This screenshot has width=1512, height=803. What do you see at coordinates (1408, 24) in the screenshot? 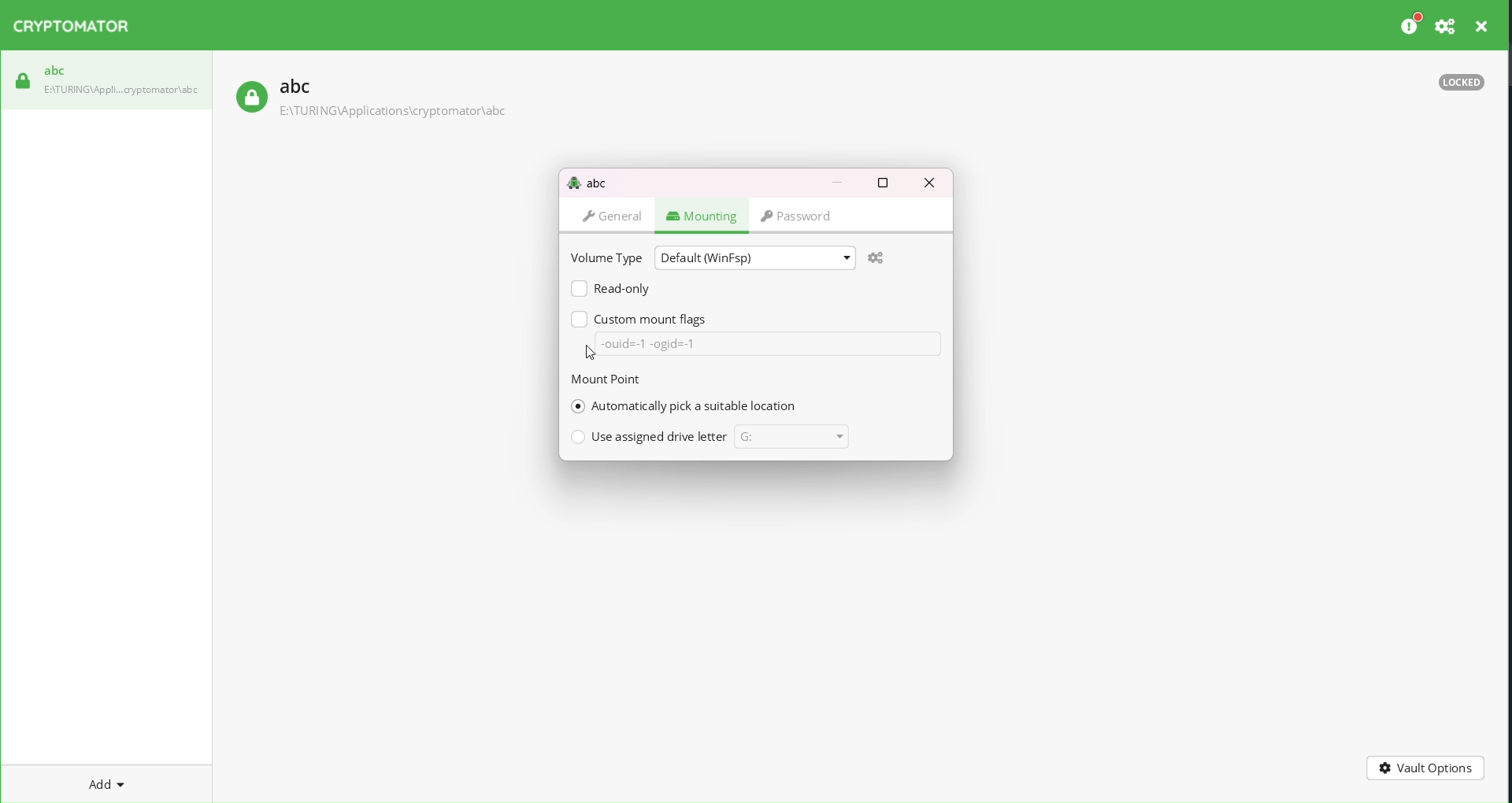
I see `preferences` at bounding box center [1408, 24].